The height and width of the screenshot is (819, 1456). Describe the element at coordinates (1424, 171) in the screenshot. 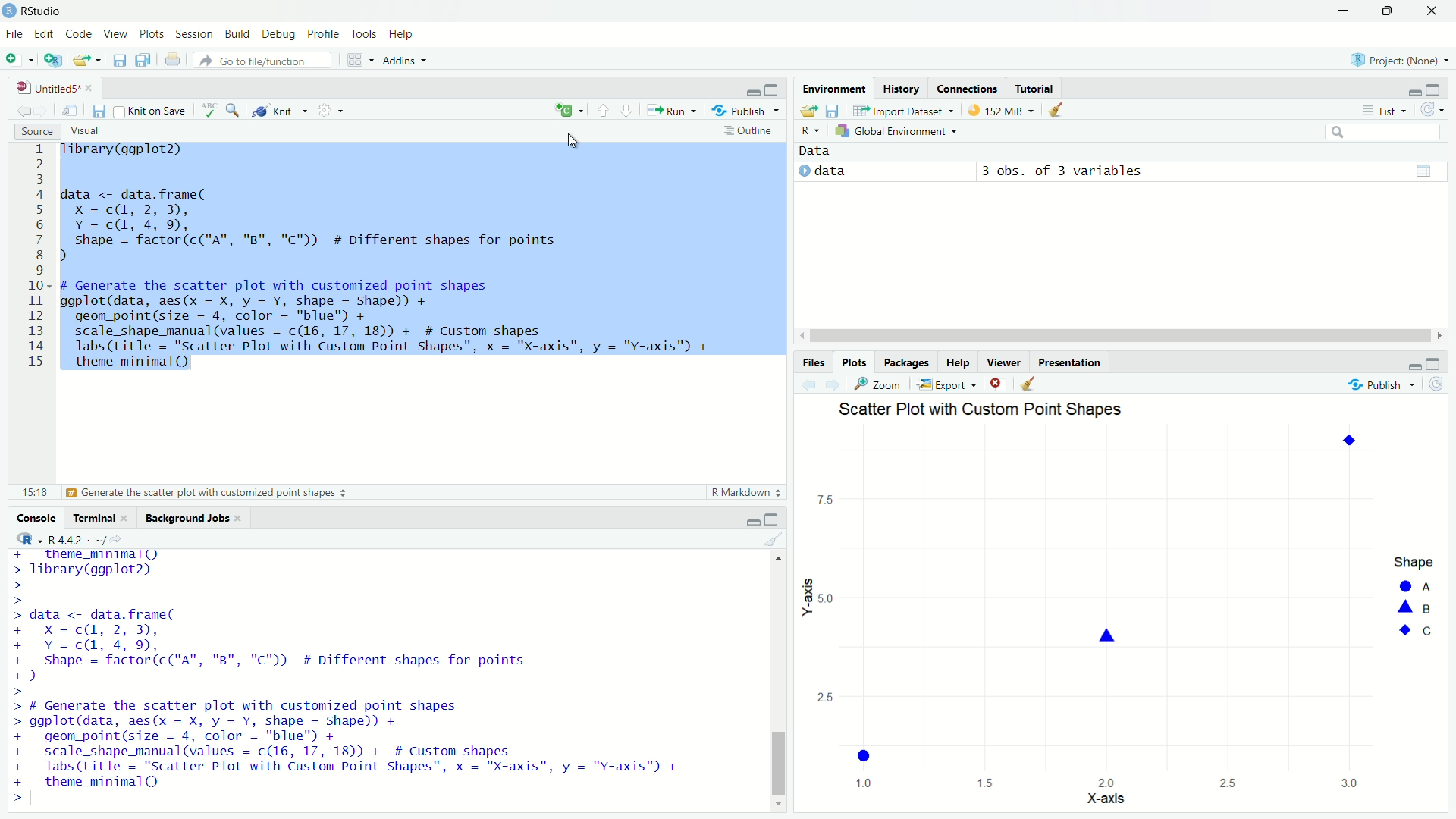

I see `grid view` at that location.